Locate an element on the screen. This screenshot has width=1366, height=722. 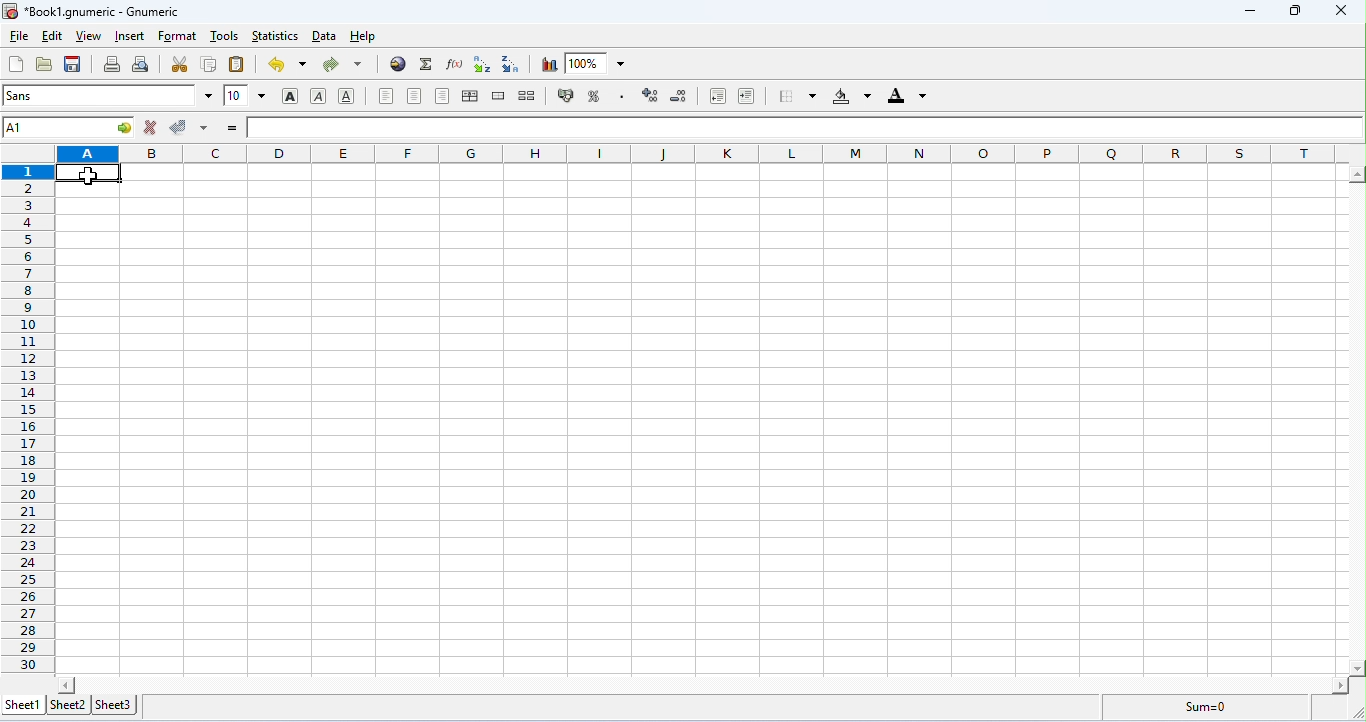
decrease decimal is located at coordinates (680, 95).